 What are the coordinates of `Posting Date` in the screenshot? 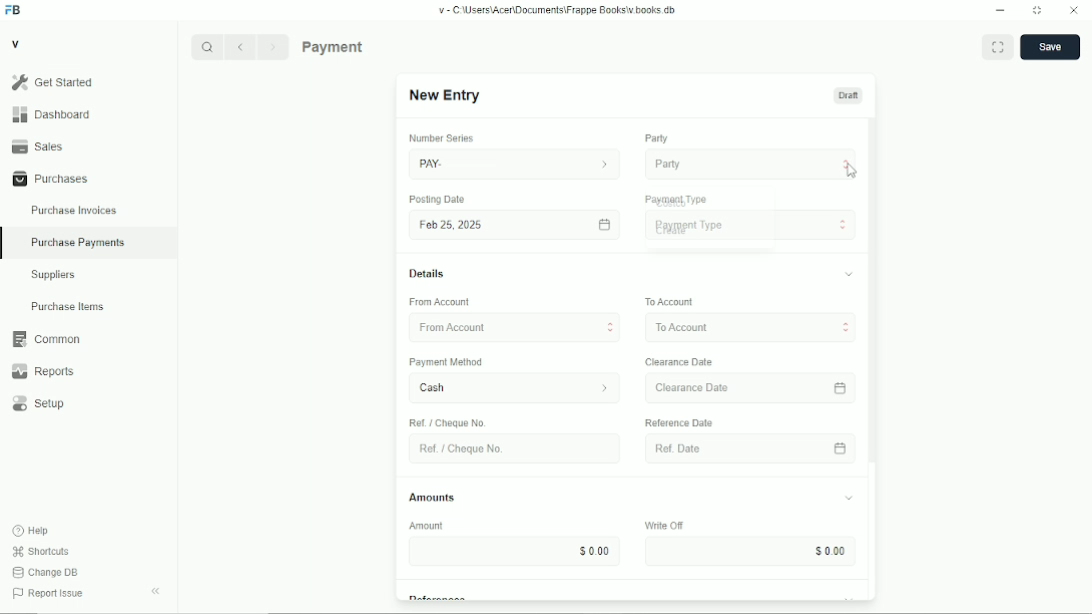 It's located at (438, 200).